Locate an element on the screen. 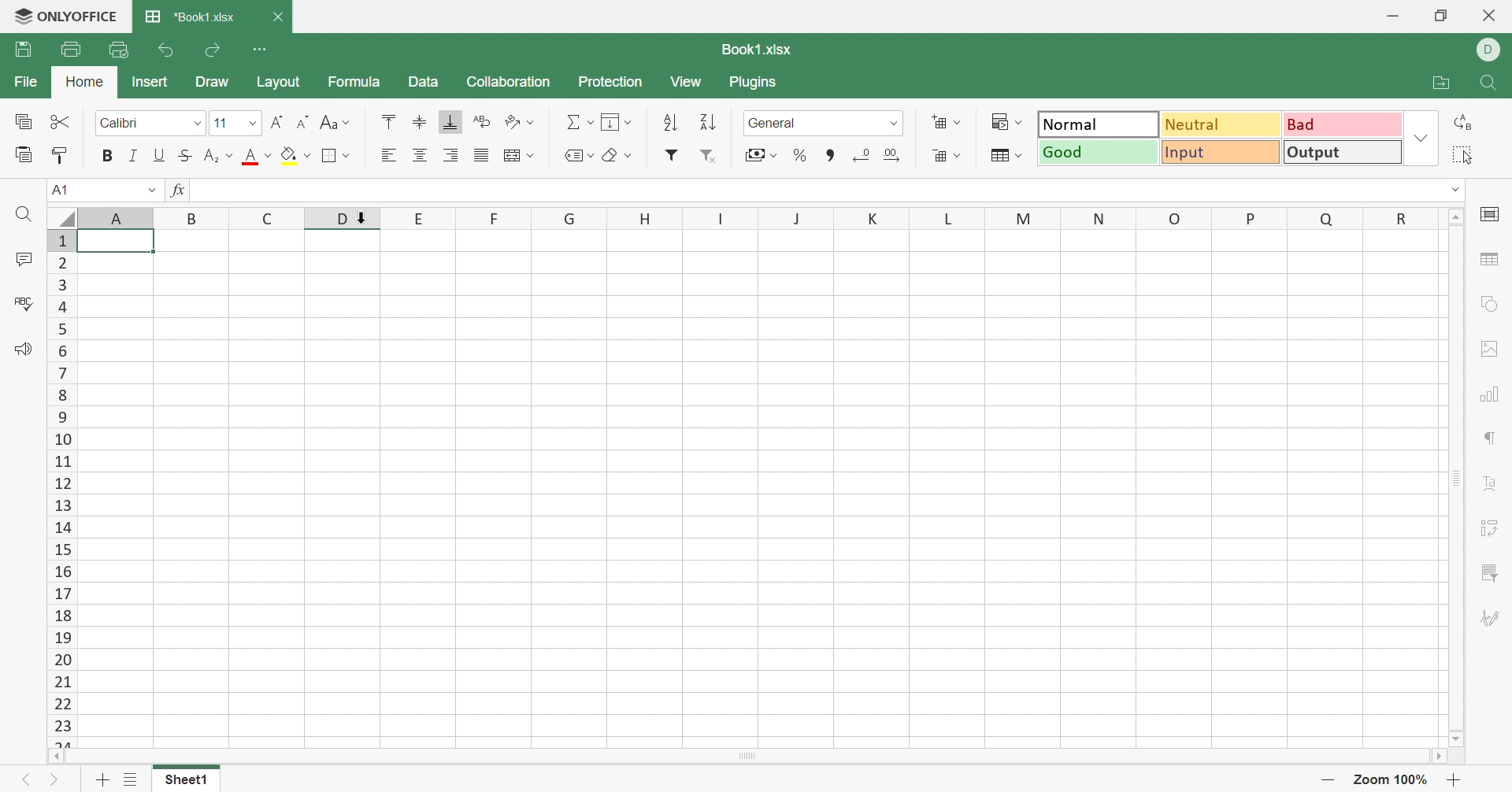 The height and width of the screenshot is (792, 1512). Drop Down is located at coordinates (774, 155).